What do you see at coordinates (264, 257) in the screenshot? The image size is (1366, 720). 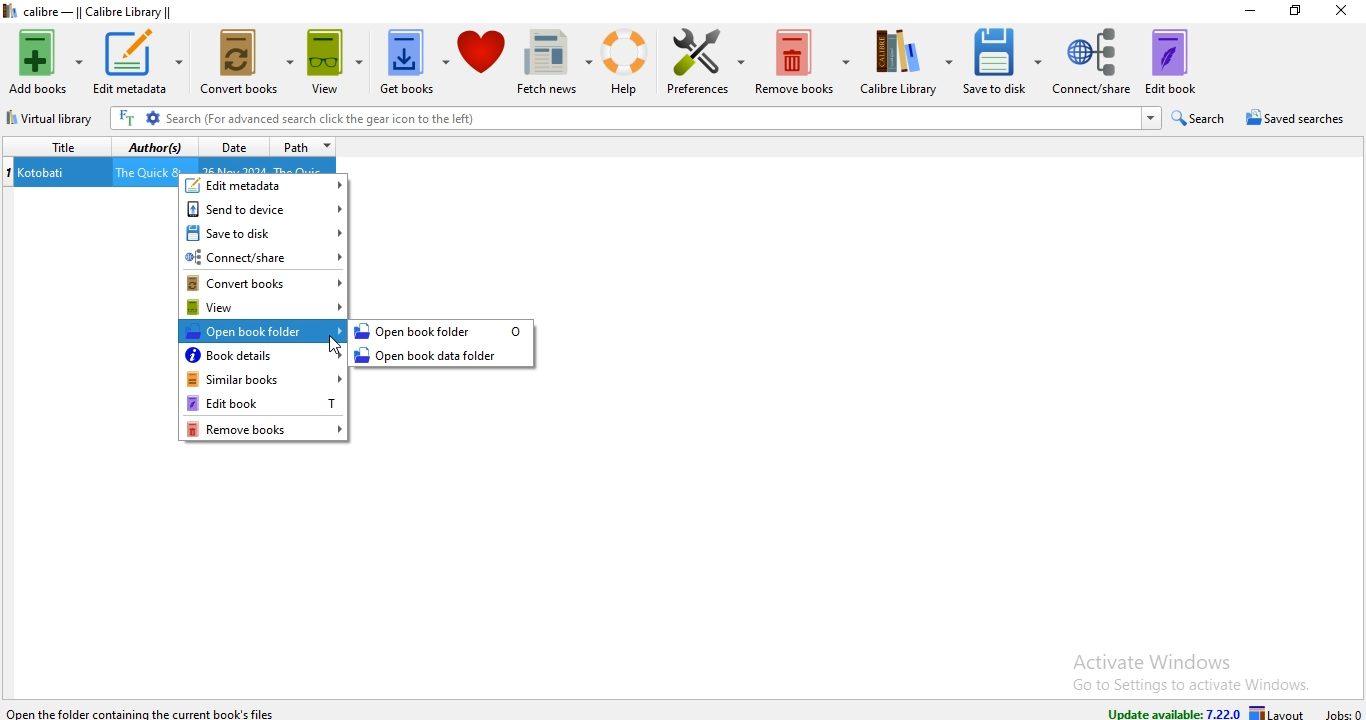 I see `connect/share` at bounding box center [264, 257].